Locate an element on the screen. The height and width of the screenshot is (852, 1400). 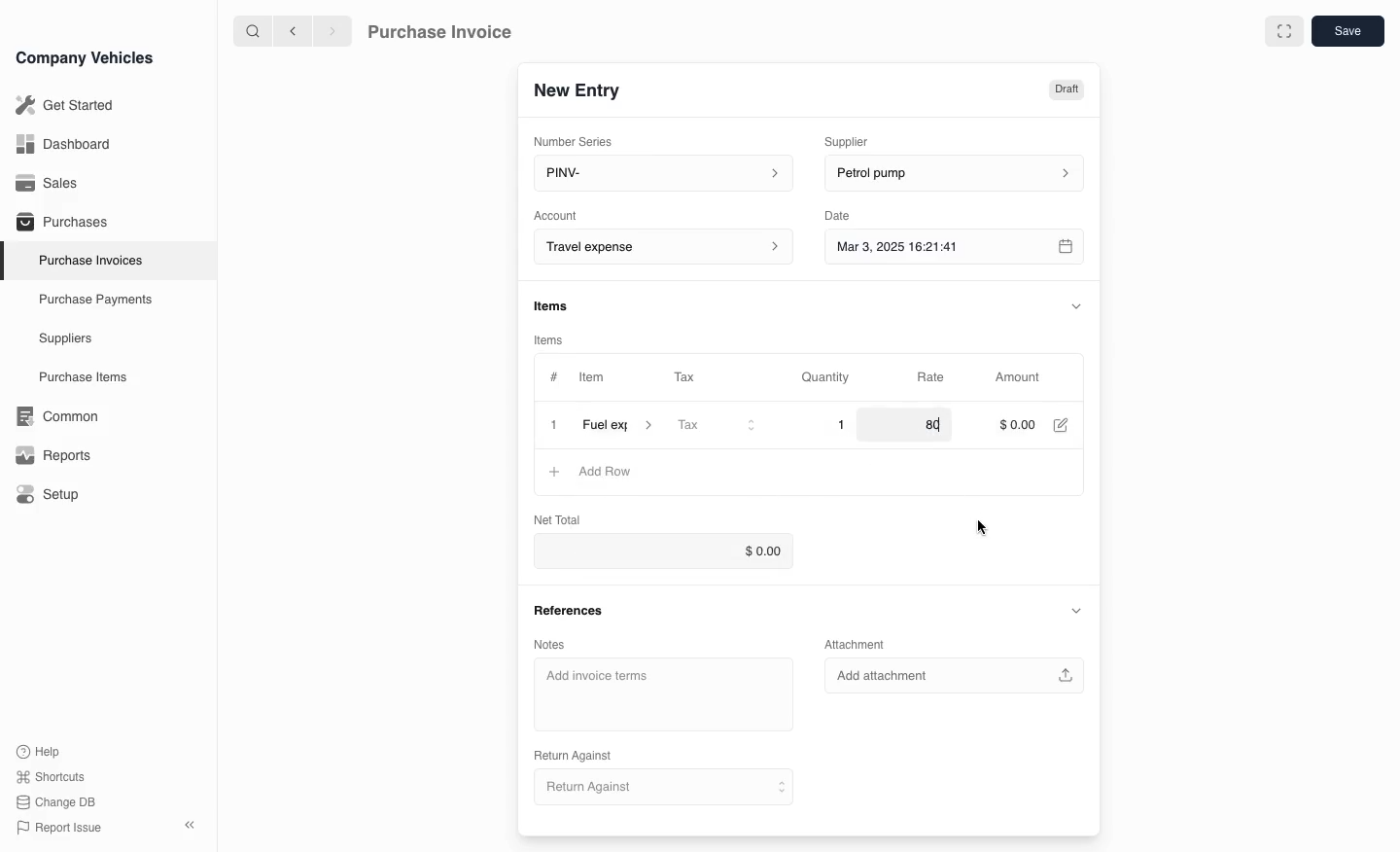
change DB is located at coordinates (58, 802).